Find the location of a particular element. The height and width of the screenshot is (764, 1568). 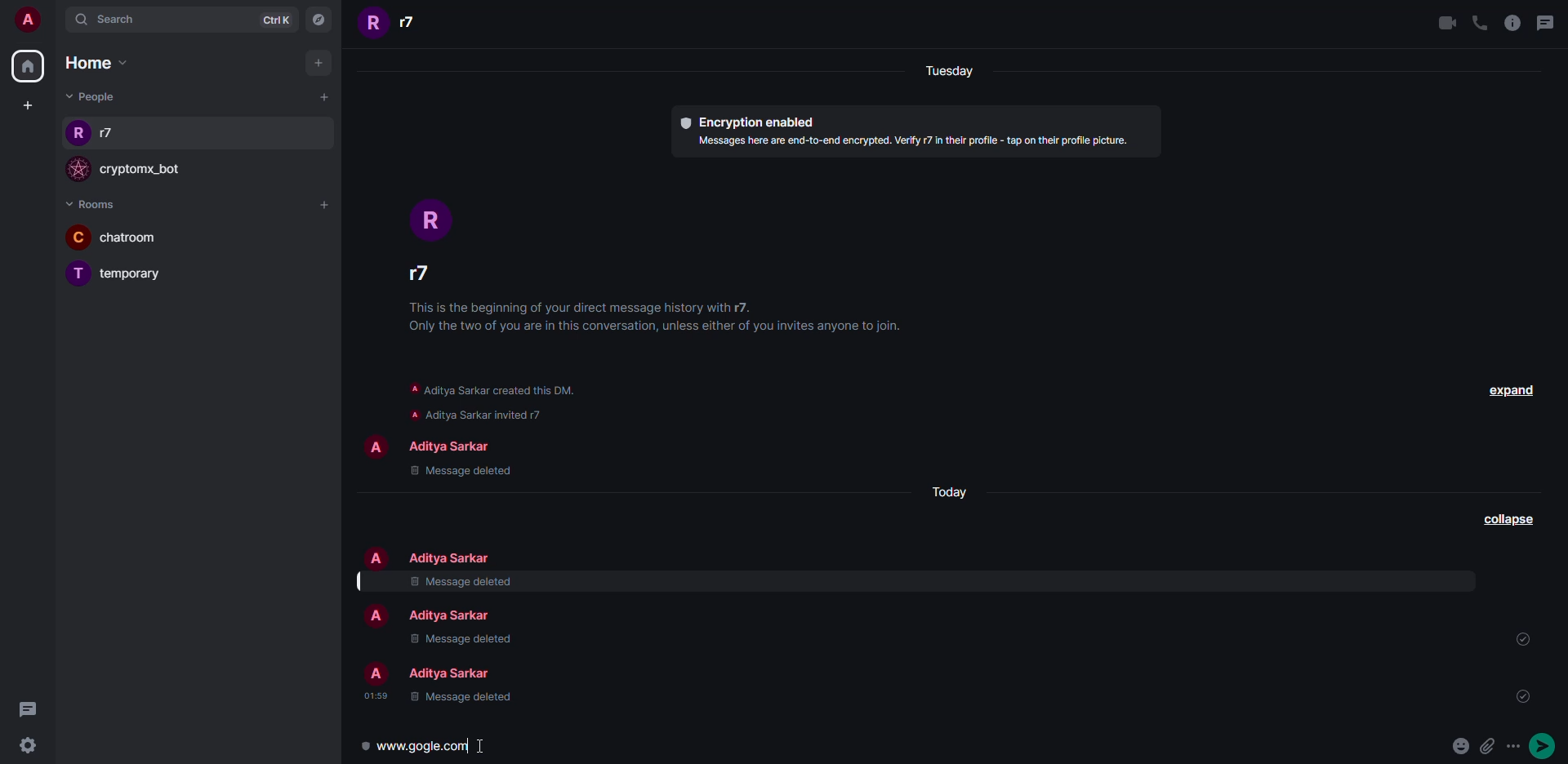

info is located at coordinates (914, 140).